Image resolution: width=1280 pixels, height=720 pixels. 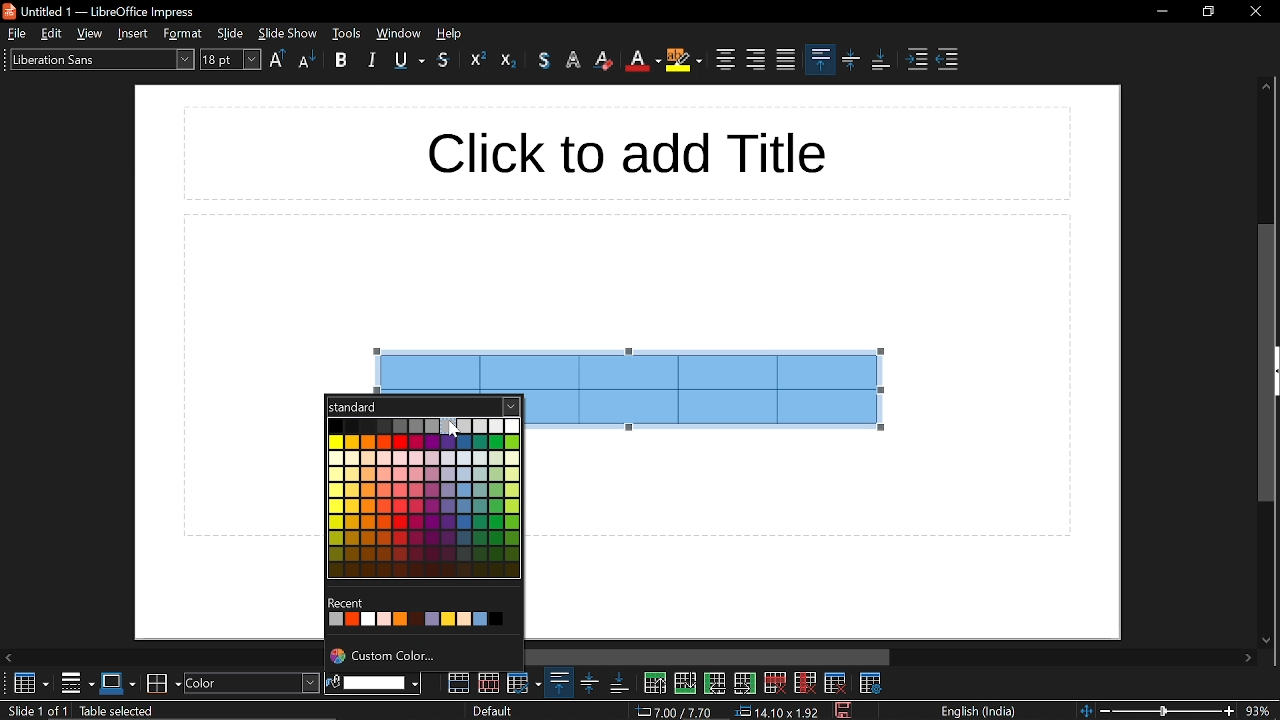 I want to click on align bottom, so click(x=882, y=62).